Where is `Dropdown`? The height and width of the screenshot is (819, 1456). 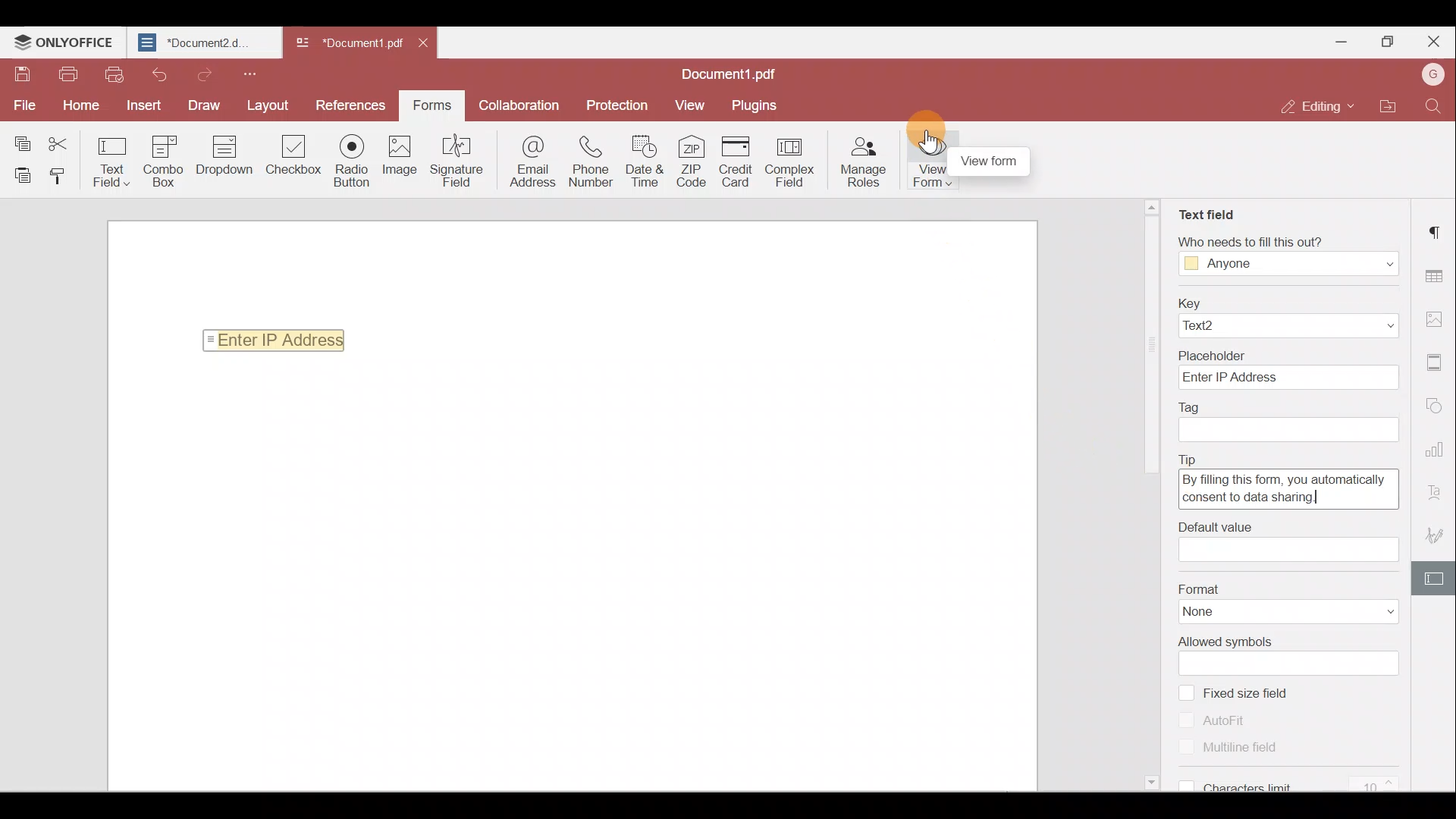 Dropdown is located at coordinates (1359, 326).